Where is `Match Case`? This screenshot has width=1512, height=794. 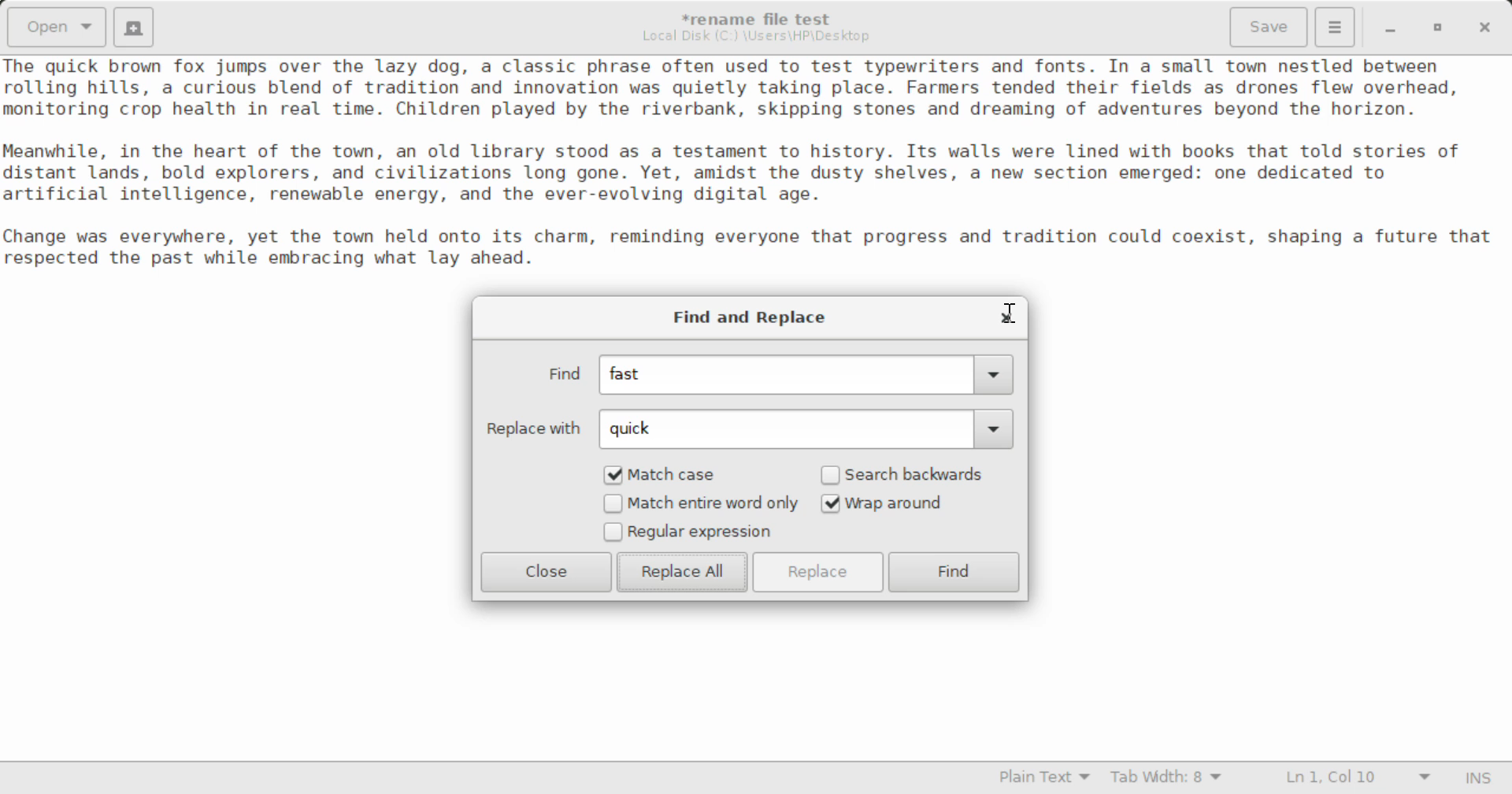 Match Case is located at coordinates (671, 474).